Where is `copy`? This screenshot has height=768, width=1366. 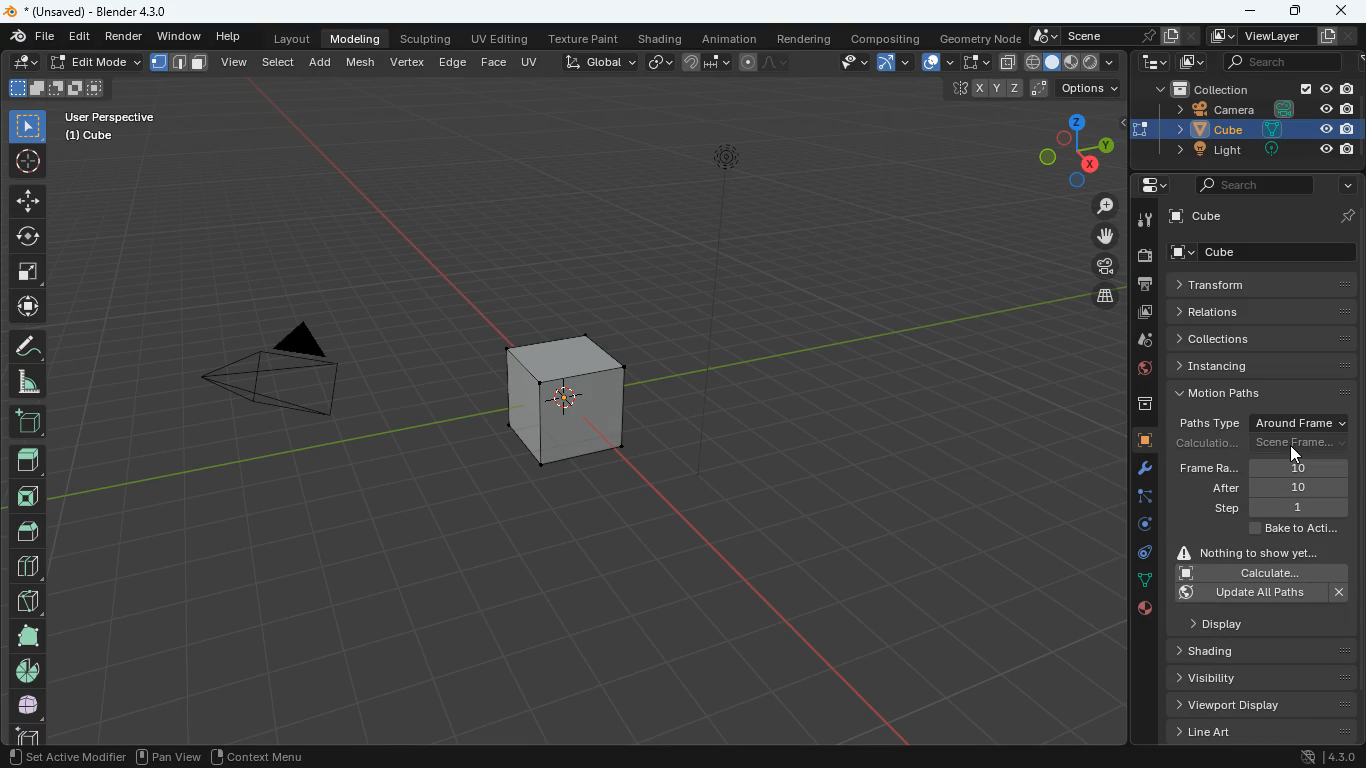
copy is located at coordinates (1007, 62).